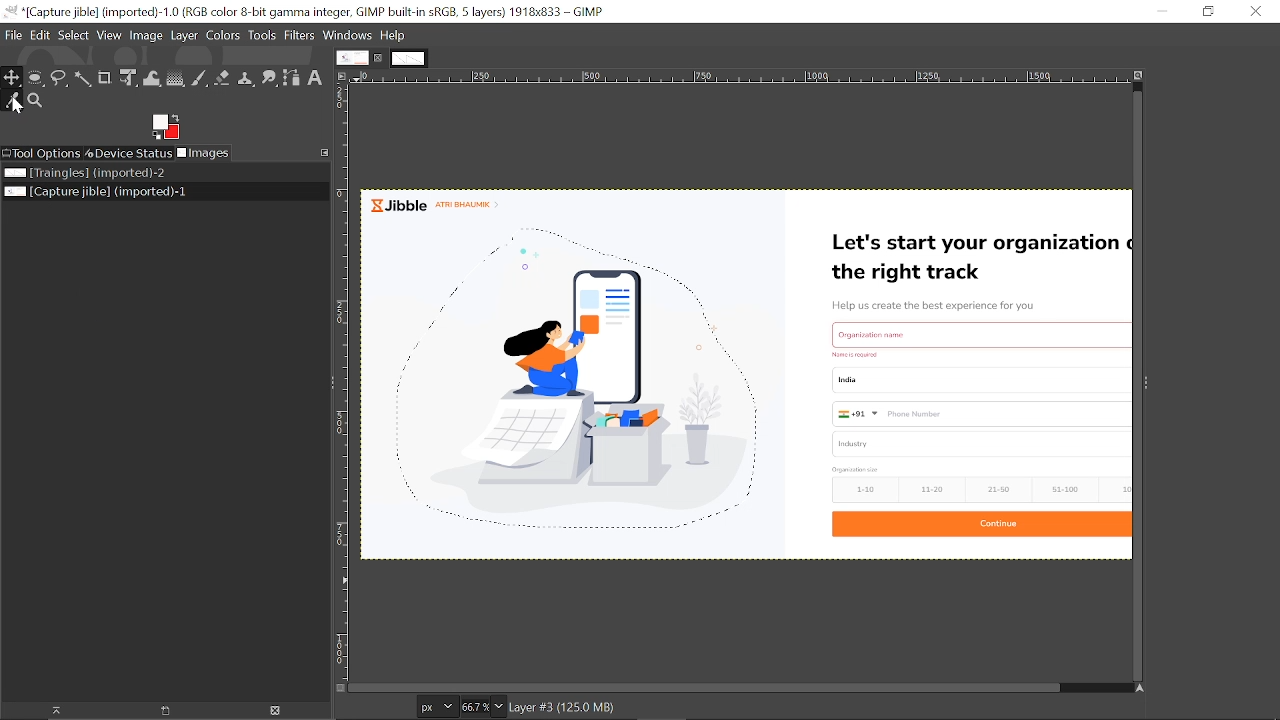 The height and width of the screenshot is (720, 1280). Describe the element at coordinates (475, 707) in the screenshot. I see `Current zoom` at that location.